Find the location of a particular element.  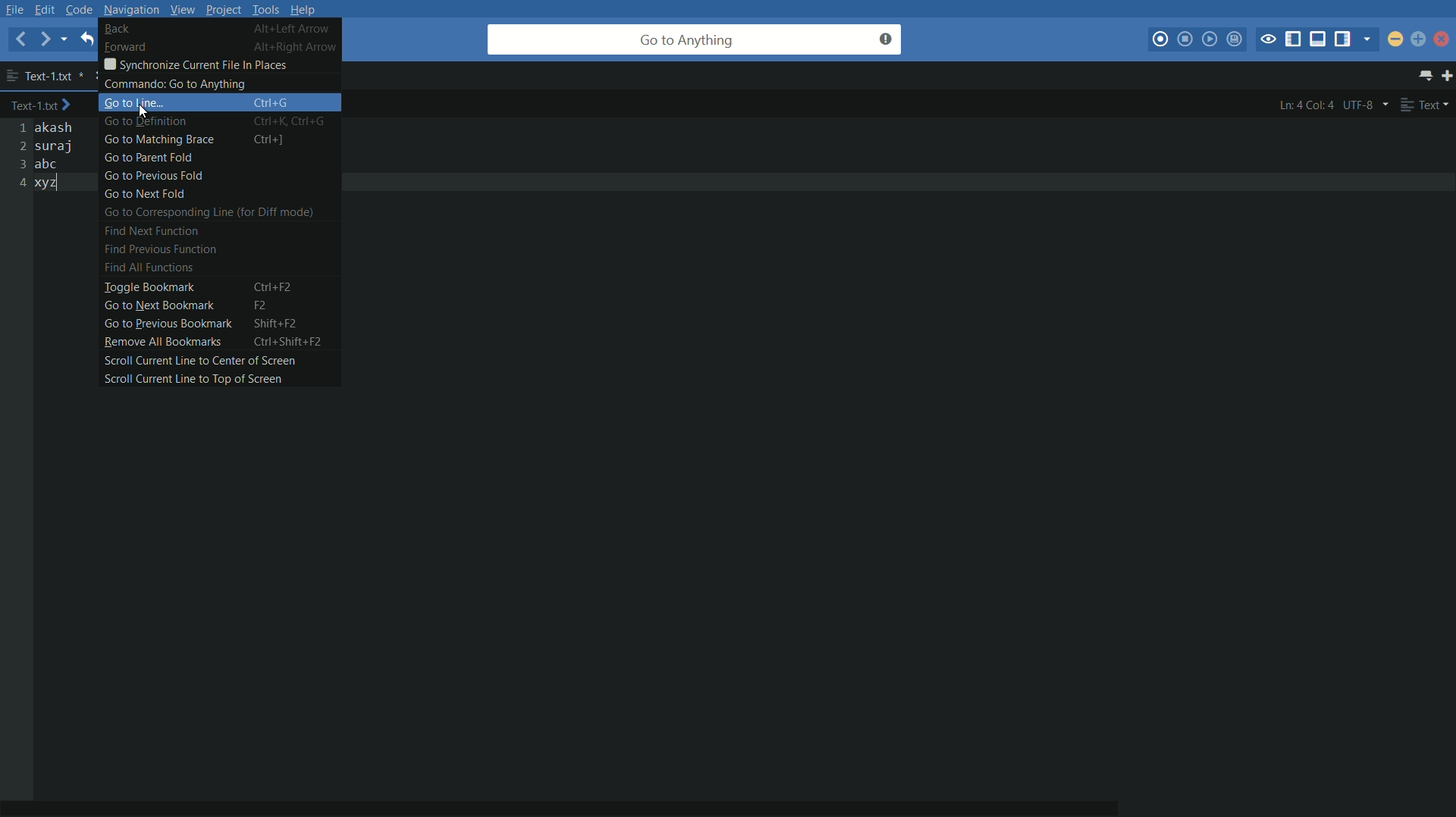

tools  is located at coordinates (267, 9).